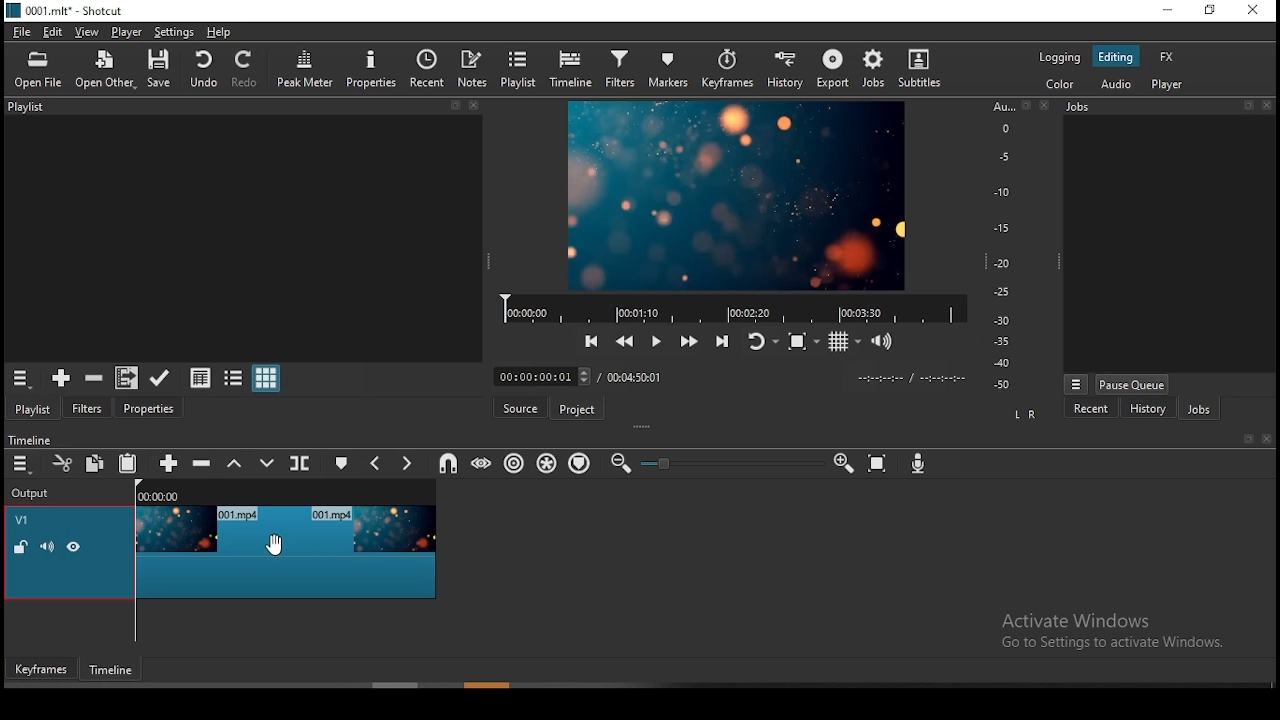 The width and height of the screenshot is (1280, 720). What do you see at coordinates (173, 33) in the screenshot?
I see `settings` at bounding box center [173, 33].